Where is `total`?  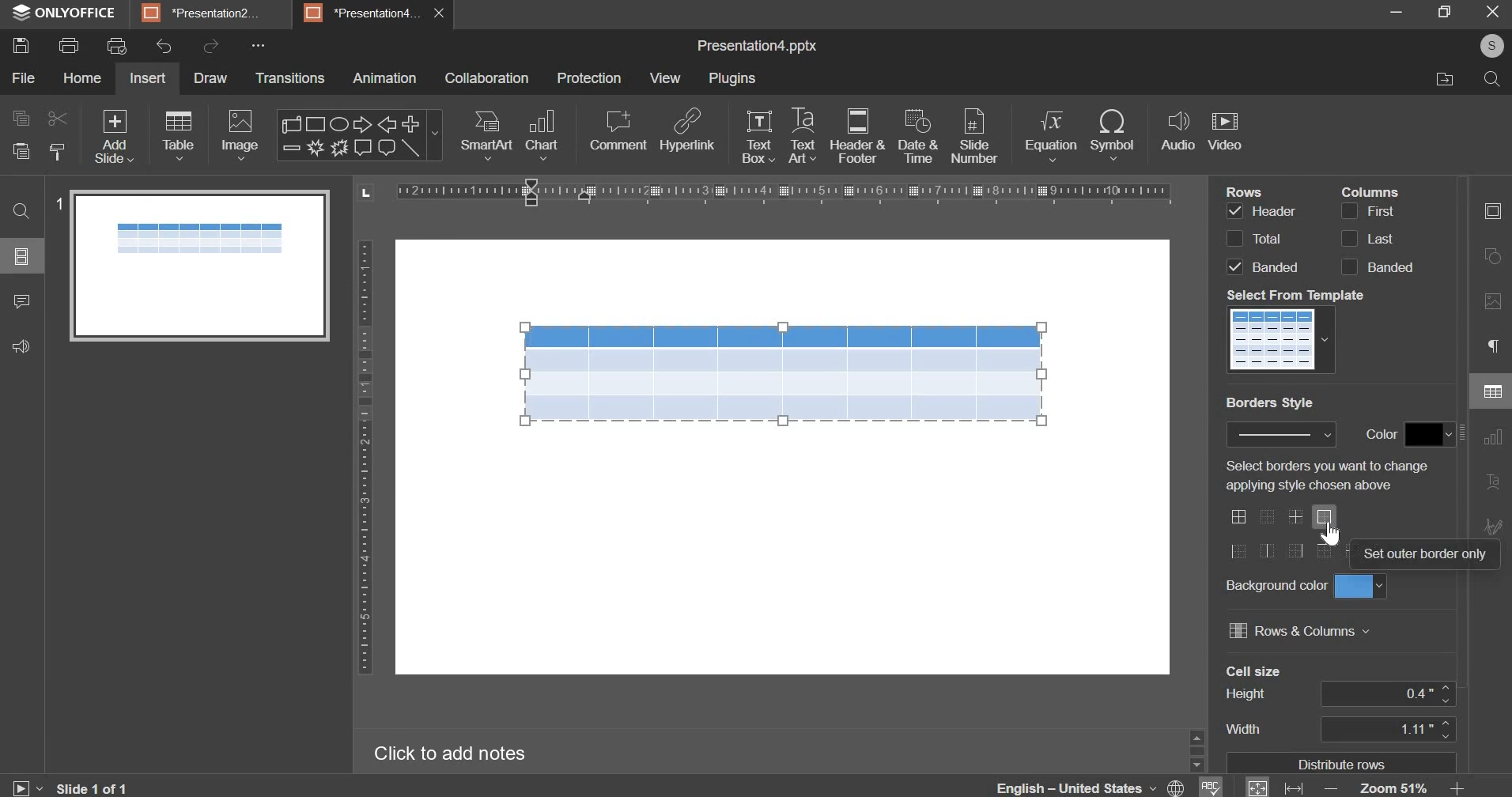 total is located at coordinates (1267, 237).